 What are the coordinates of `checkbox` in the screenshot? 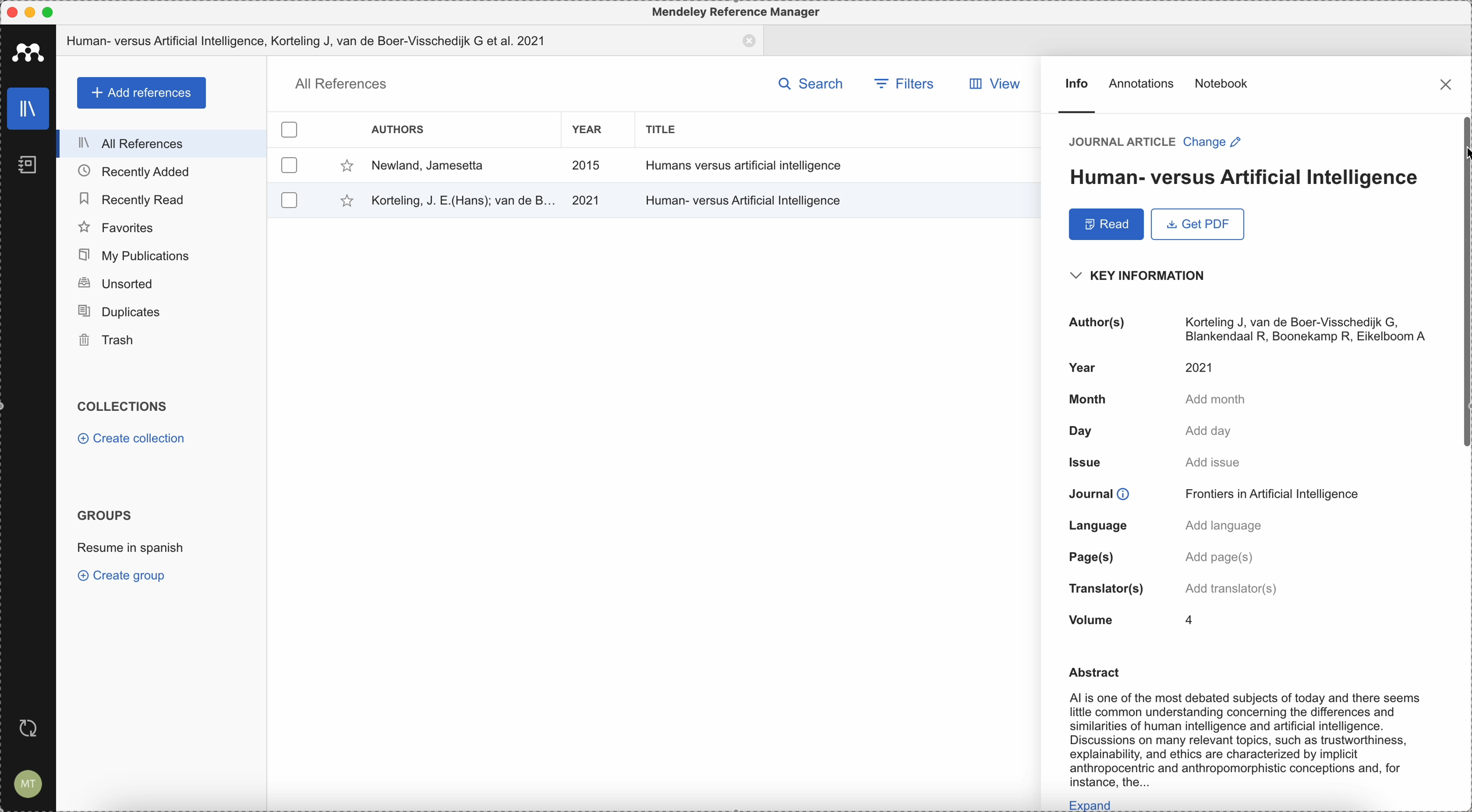 It's located at (290, 165).